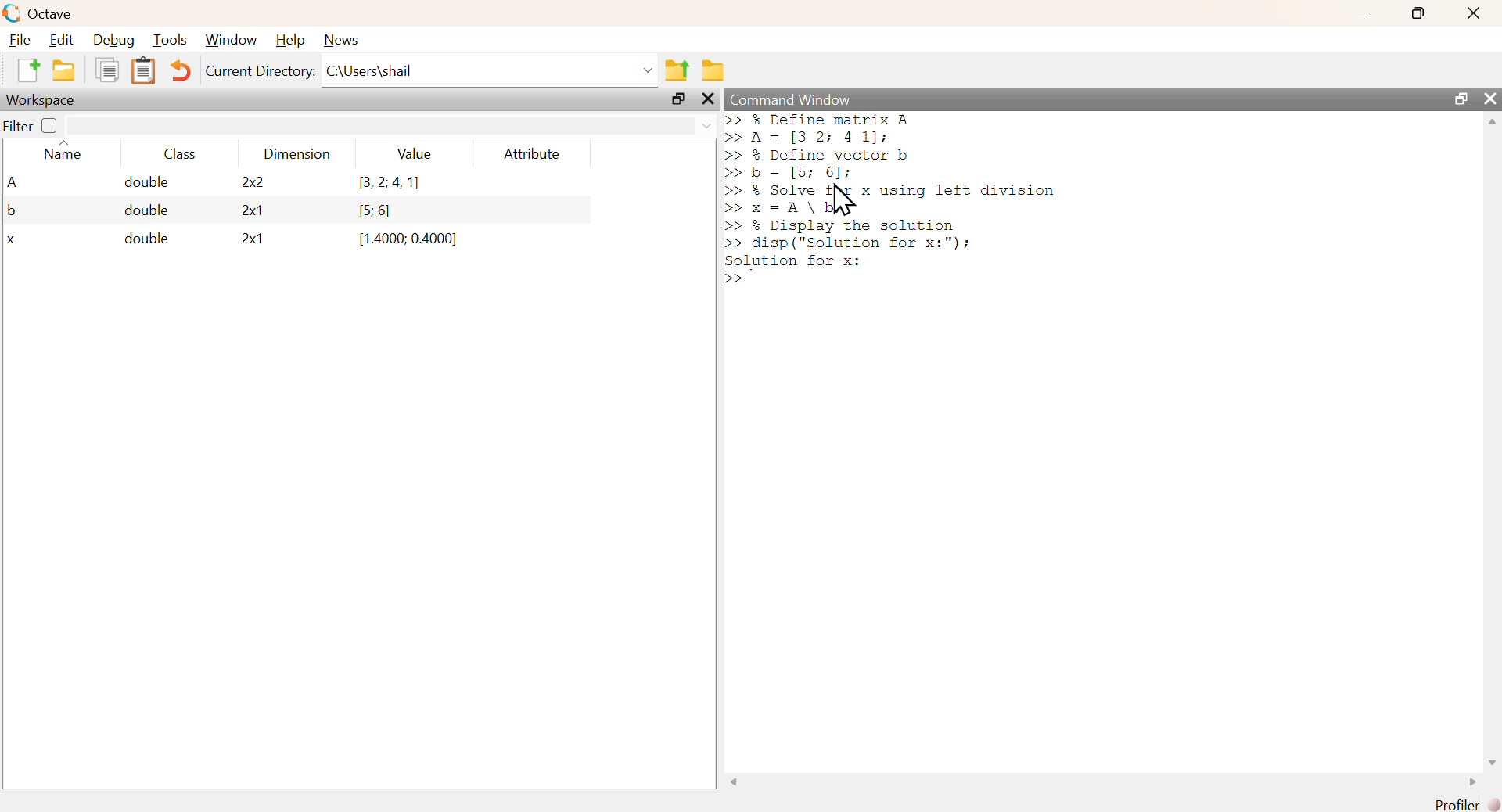 This screenshot has height=812, width=1502. Describe the element at coordinates (146, 73) in the screenshot. I see `paste` at that location.